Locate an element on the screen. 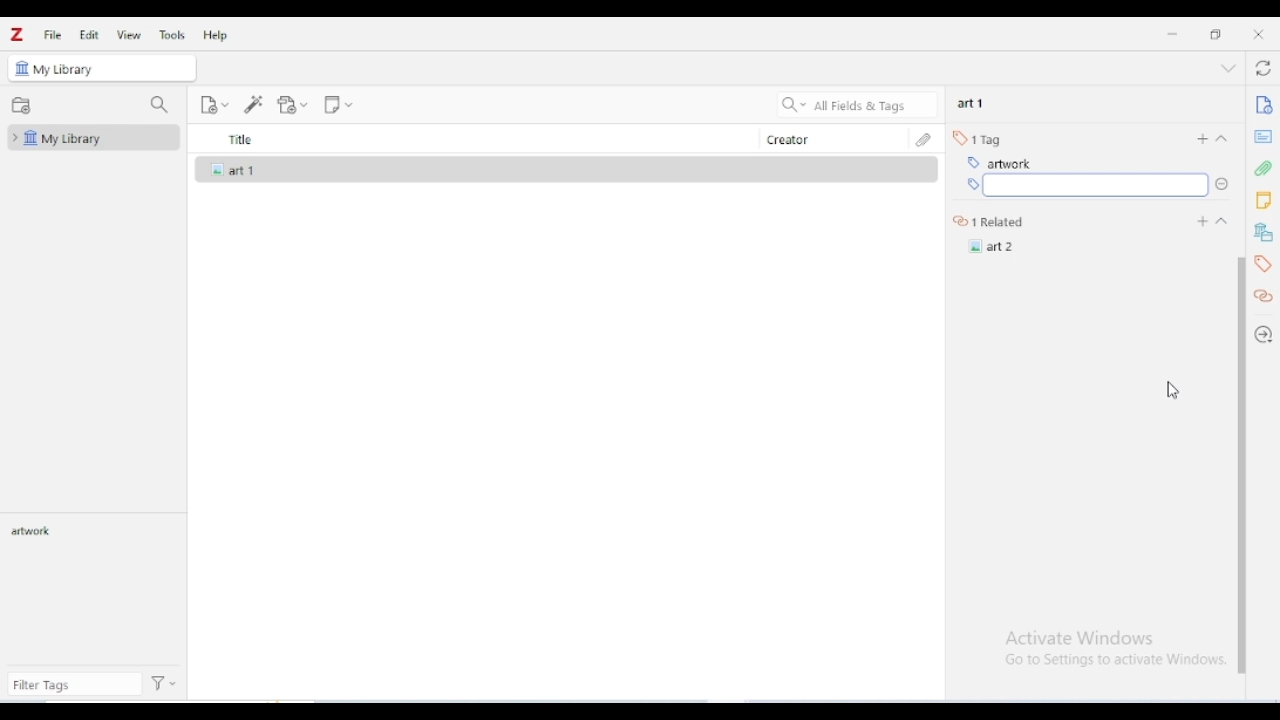  new collection is located at coordinates (21, 105).